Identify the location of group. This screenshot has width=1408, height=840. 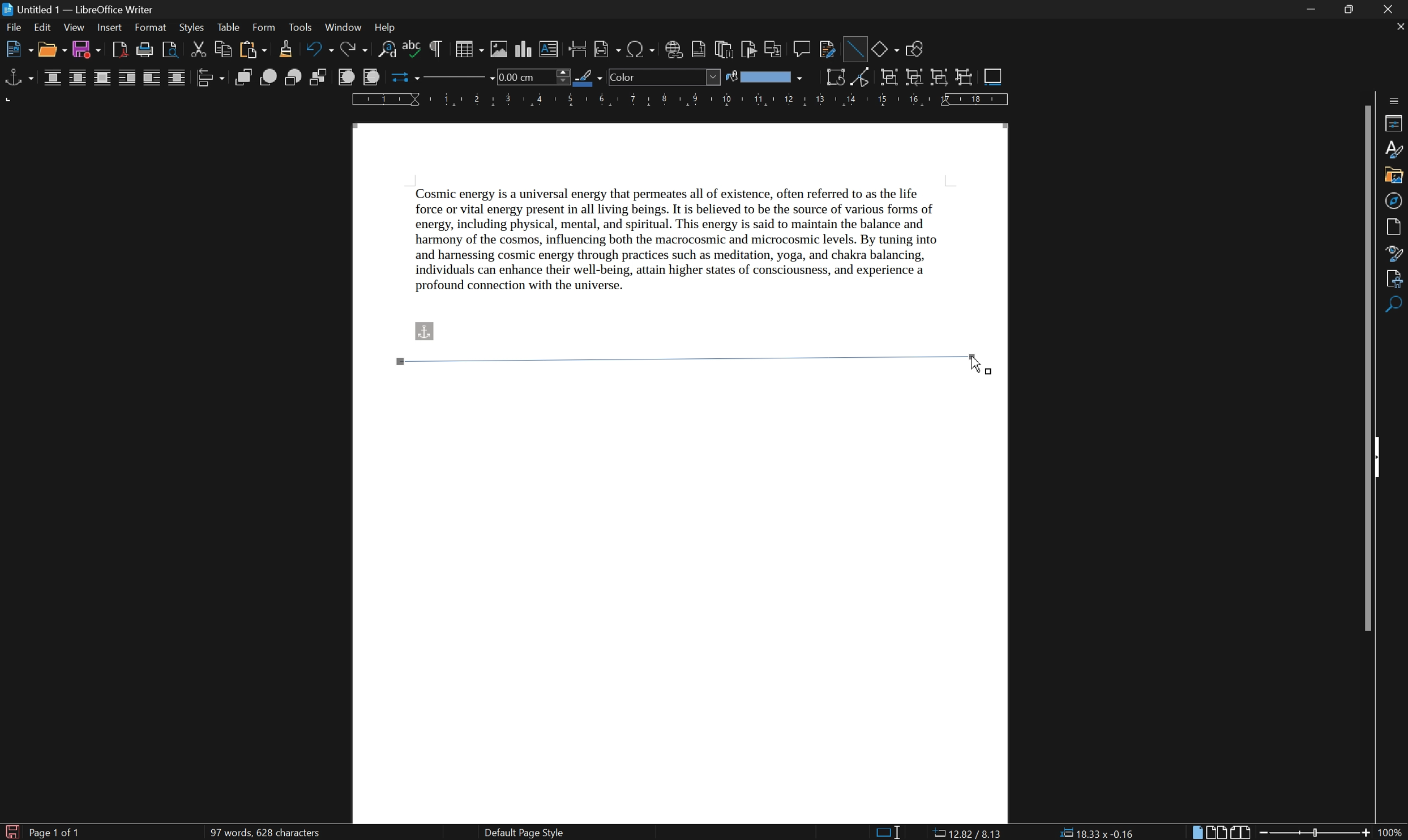
(888, 78).